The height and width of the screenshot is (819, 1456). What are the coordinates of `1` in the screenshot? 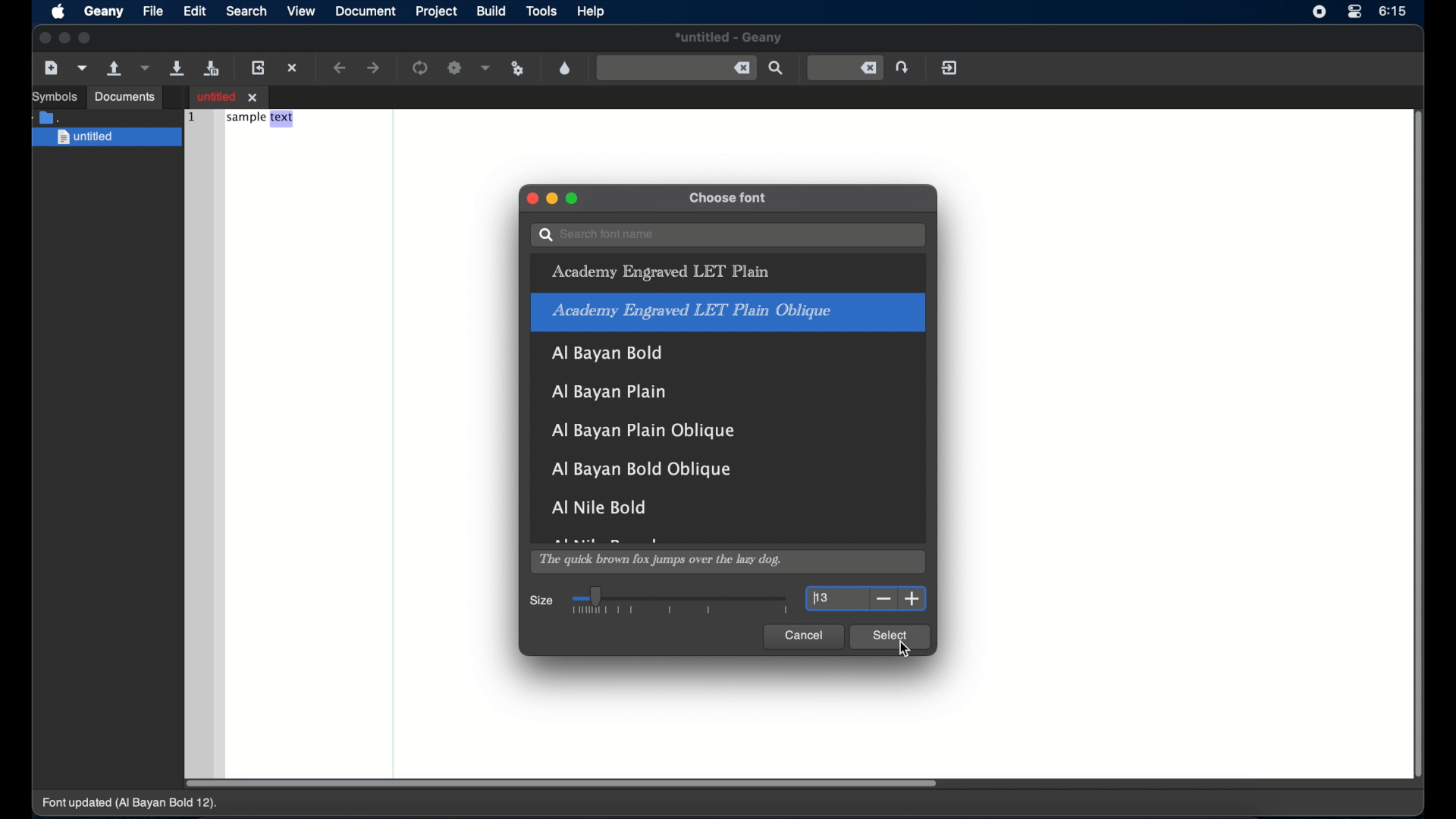 It's located at (190, 115).